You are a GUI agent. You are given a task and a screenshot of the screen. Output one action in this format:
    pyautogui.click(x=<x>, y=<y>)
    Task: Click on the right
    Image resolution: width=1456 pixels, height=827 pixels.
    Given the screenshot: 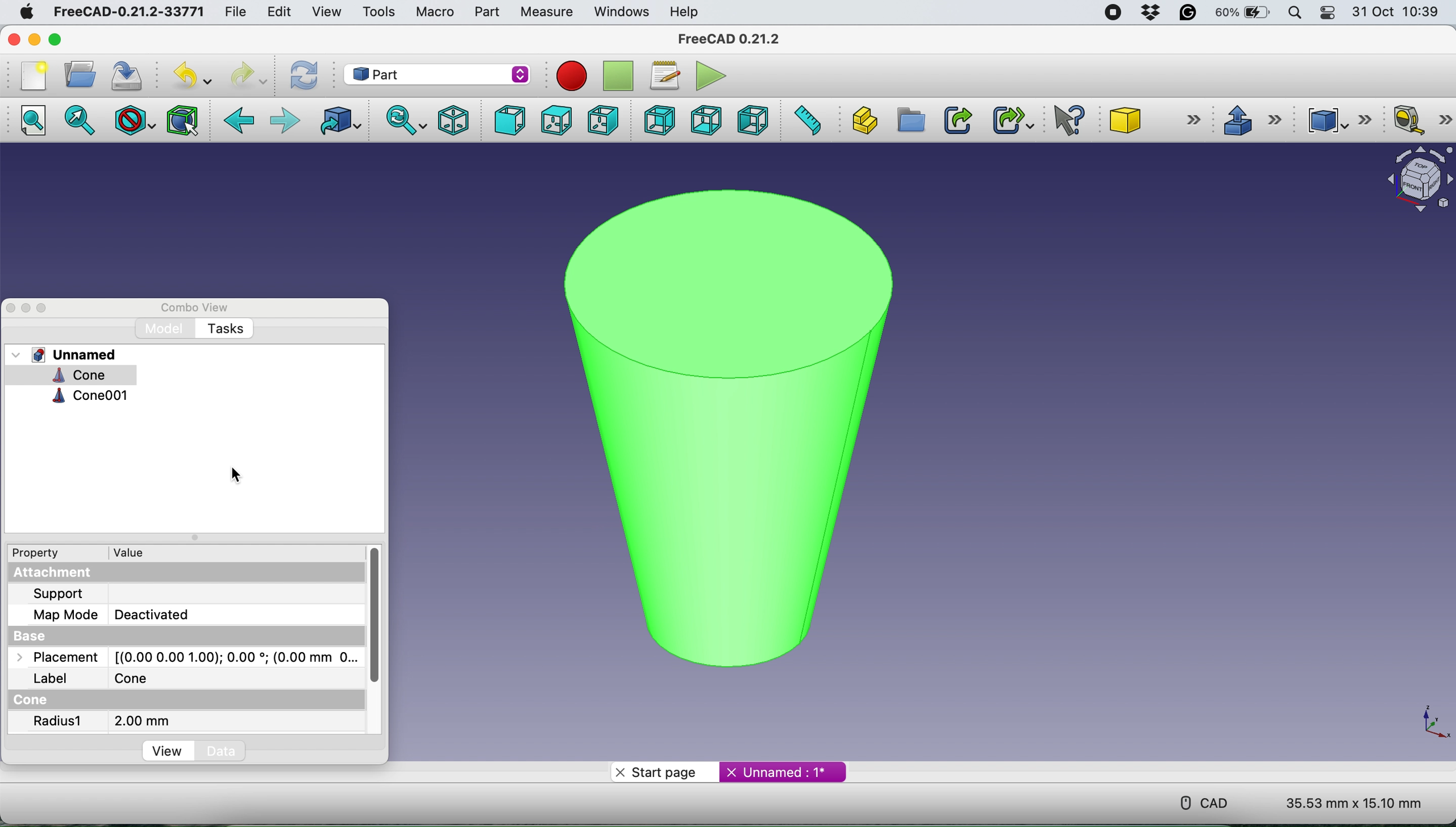 What is the action you would take?
    pyautogui.click(x=602, y=119)
    